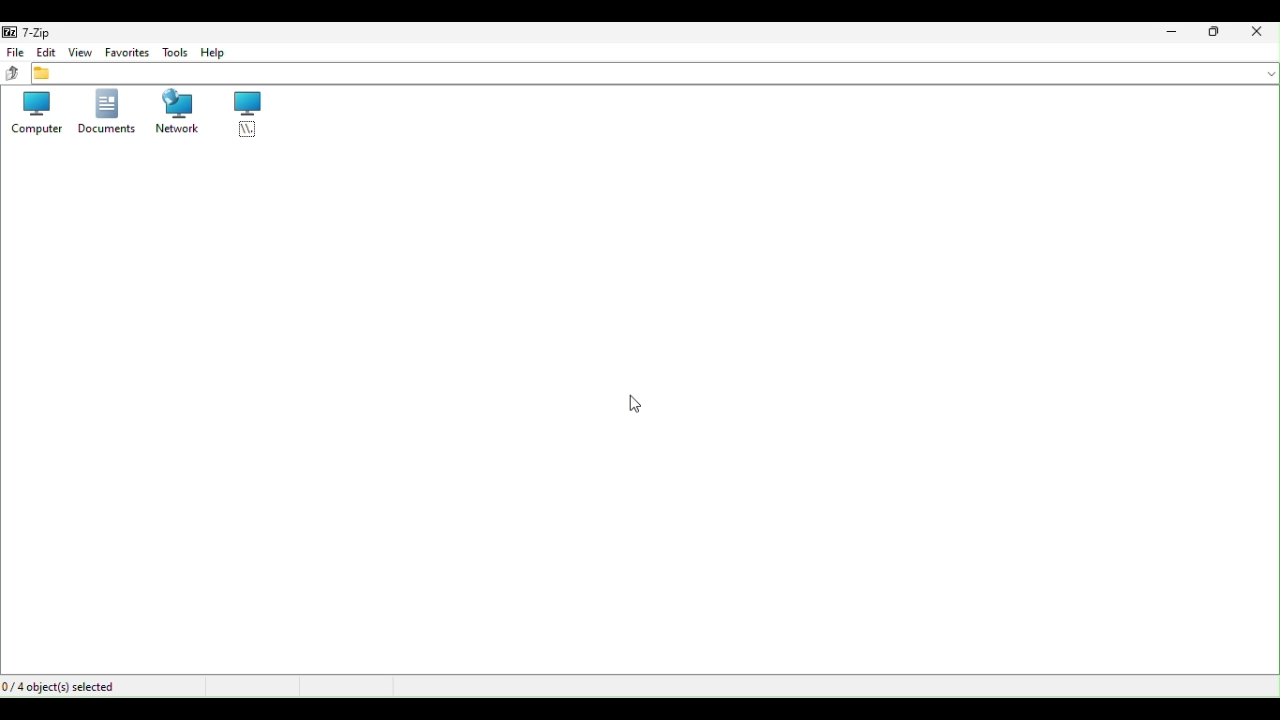 The height and width of the screenshot is (720, 1280). I want to click on Mouse, so click(635, 406).